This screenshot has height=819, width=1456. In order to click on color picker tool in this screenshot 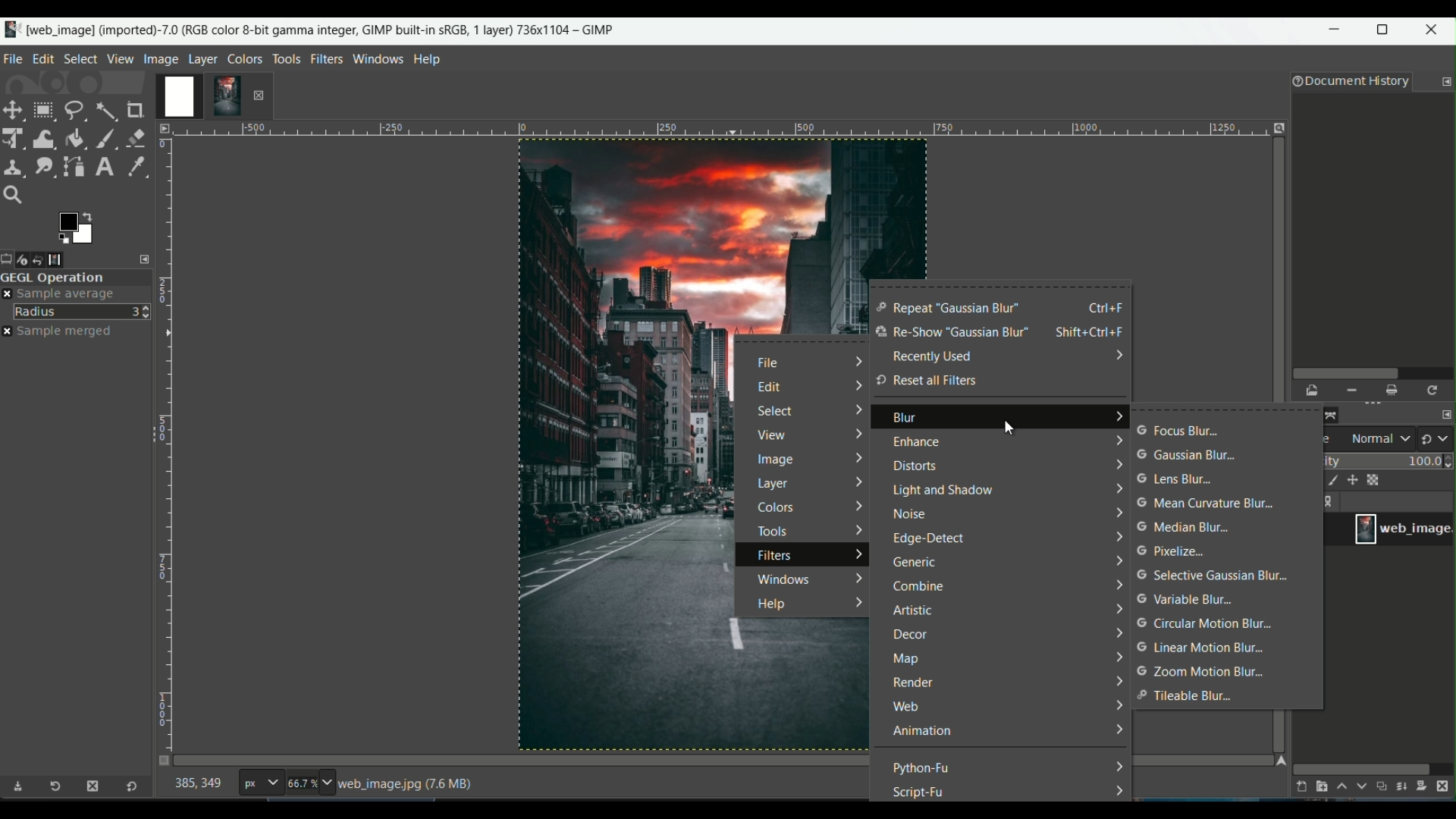, I will do `click(133, 165)`.